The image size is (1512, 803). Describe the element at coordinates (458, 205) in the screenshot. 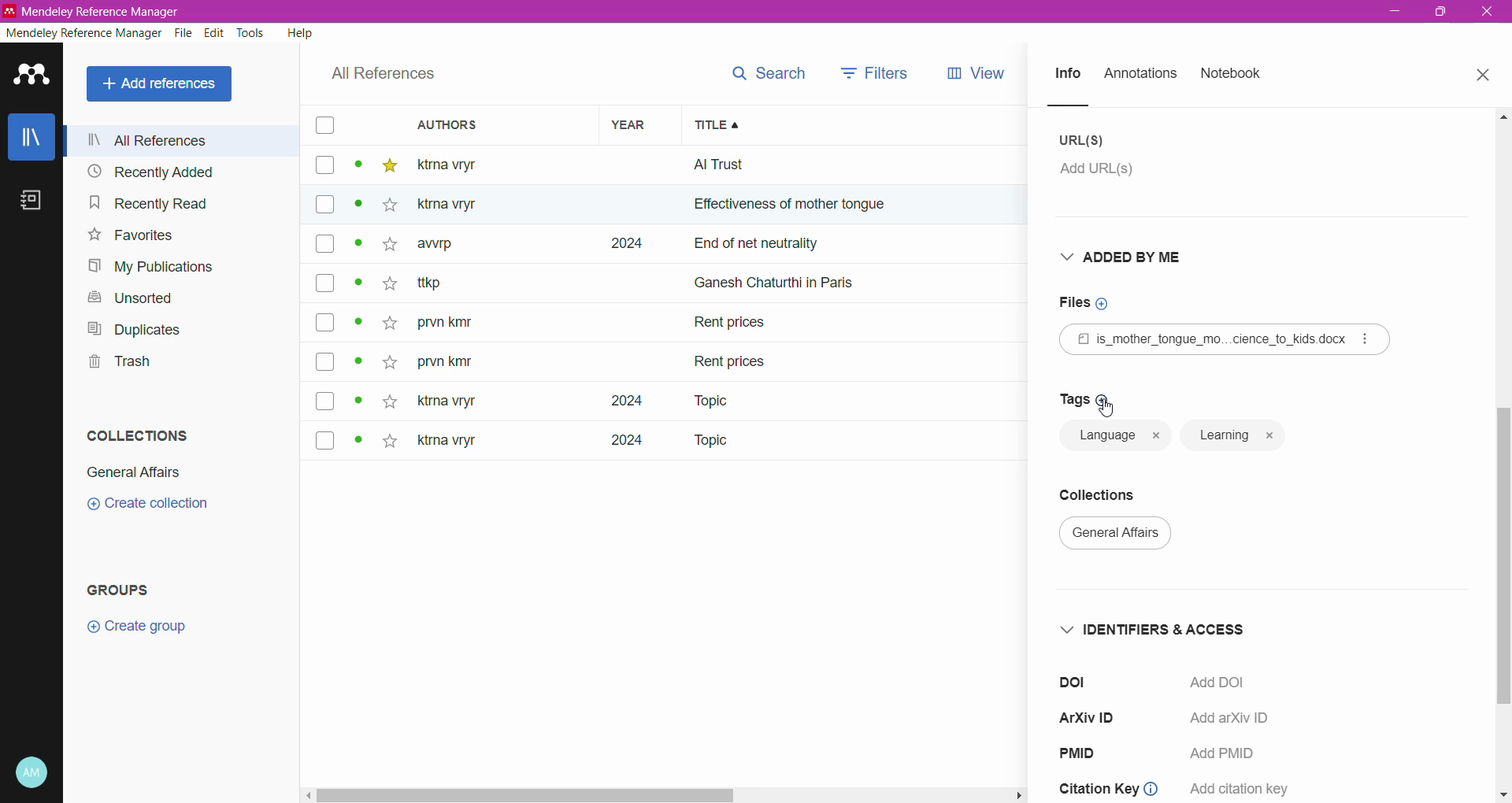

I see `` at that location.